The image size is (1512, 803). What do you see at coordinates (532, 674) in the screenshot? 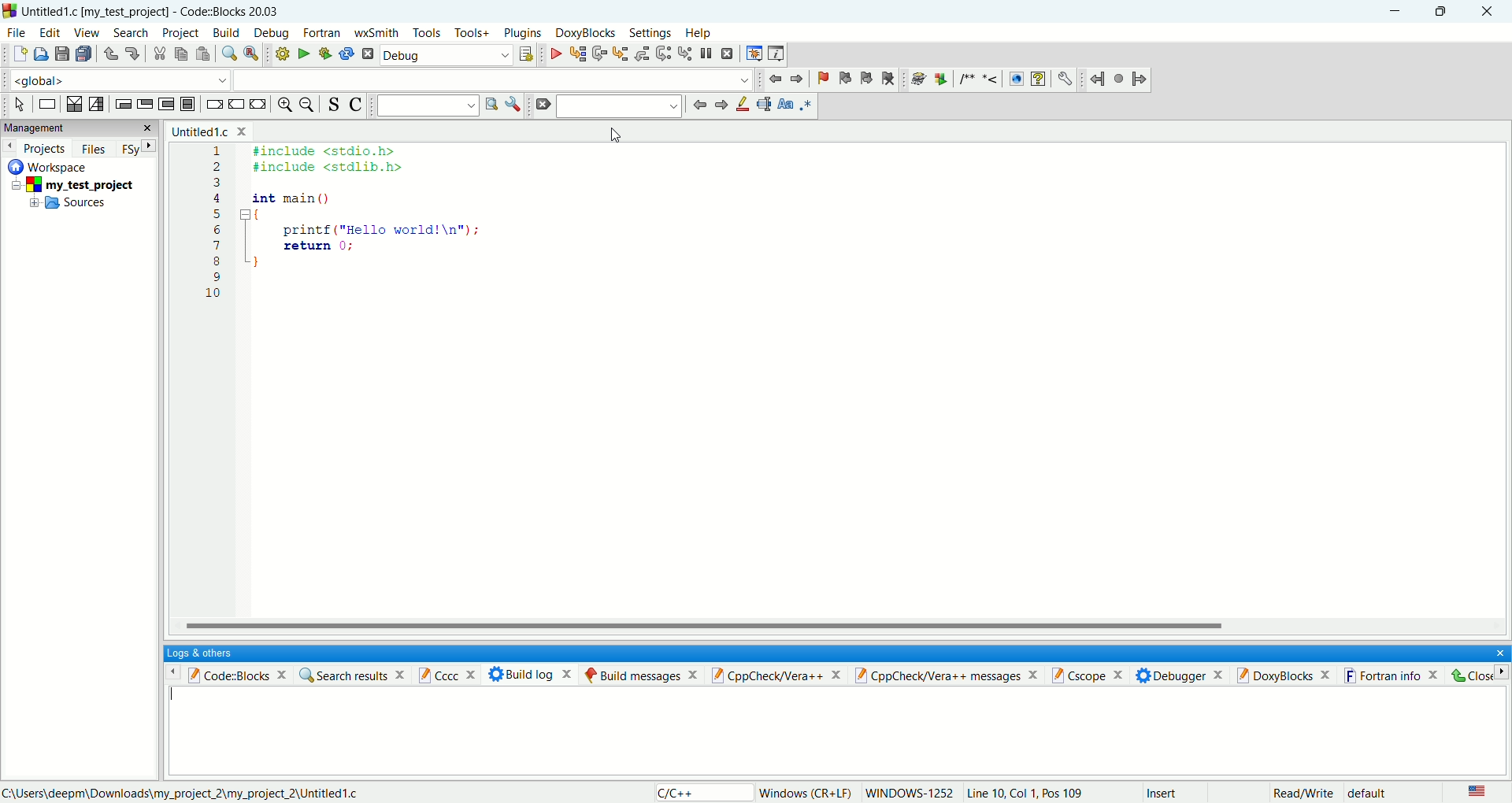
I see `build log` at bounding box center [532, 674].